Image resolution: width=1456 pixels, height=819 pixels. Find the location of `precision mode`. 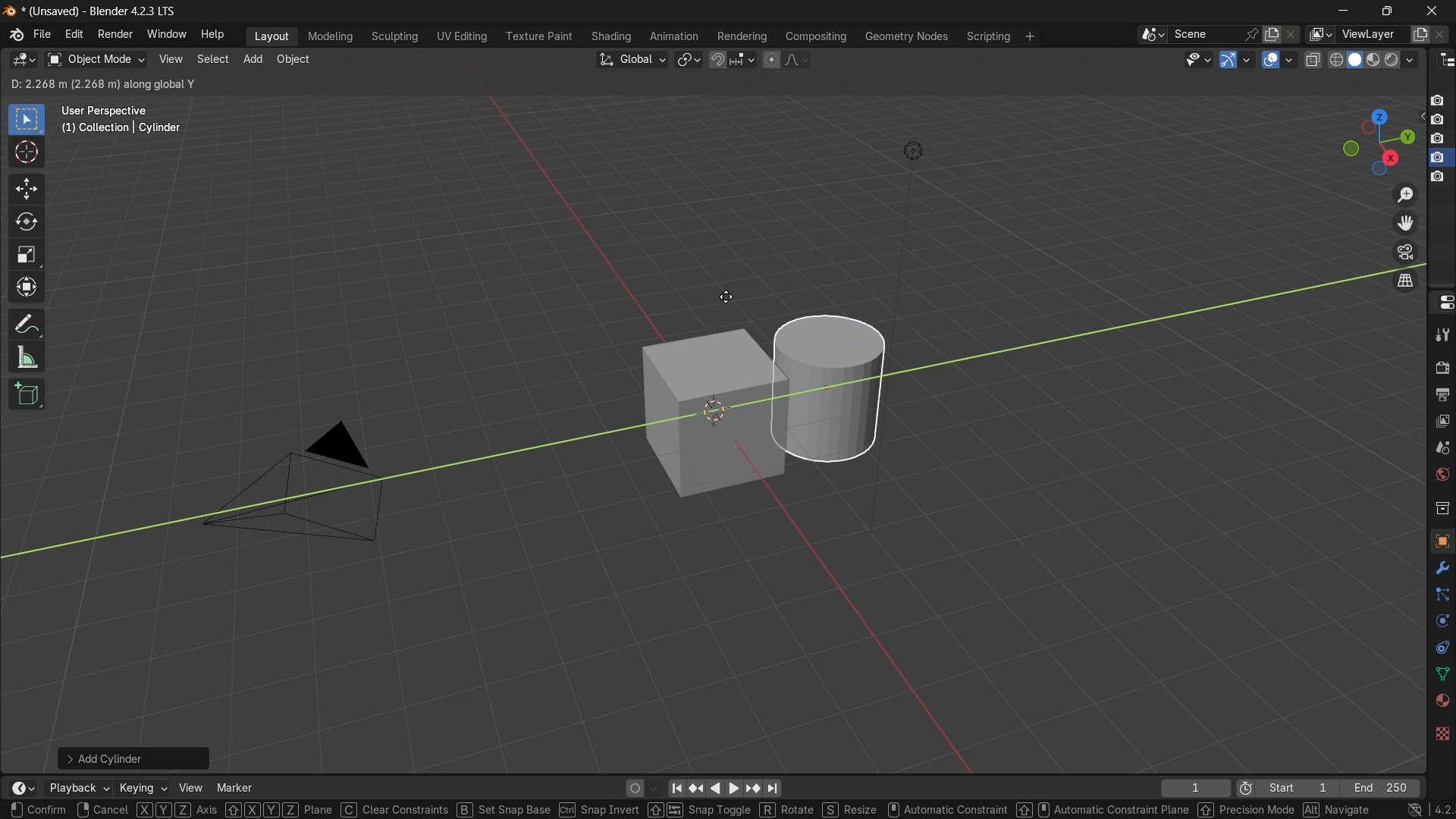

precision mode is located at coordinates (1245, 808).